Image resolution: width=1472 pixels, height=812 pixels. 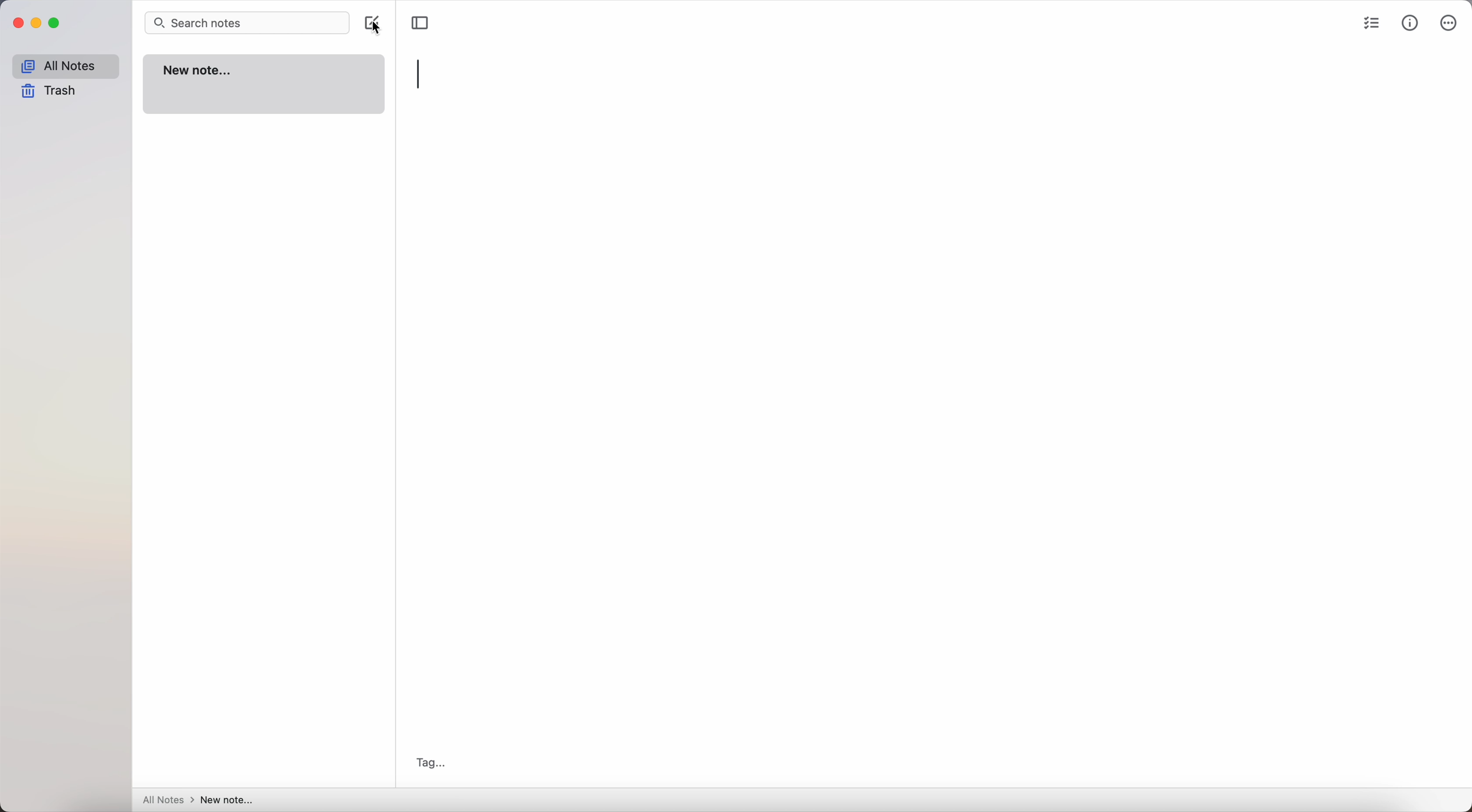 I want to click on toggle sidebar, so click(x=421, y=22).